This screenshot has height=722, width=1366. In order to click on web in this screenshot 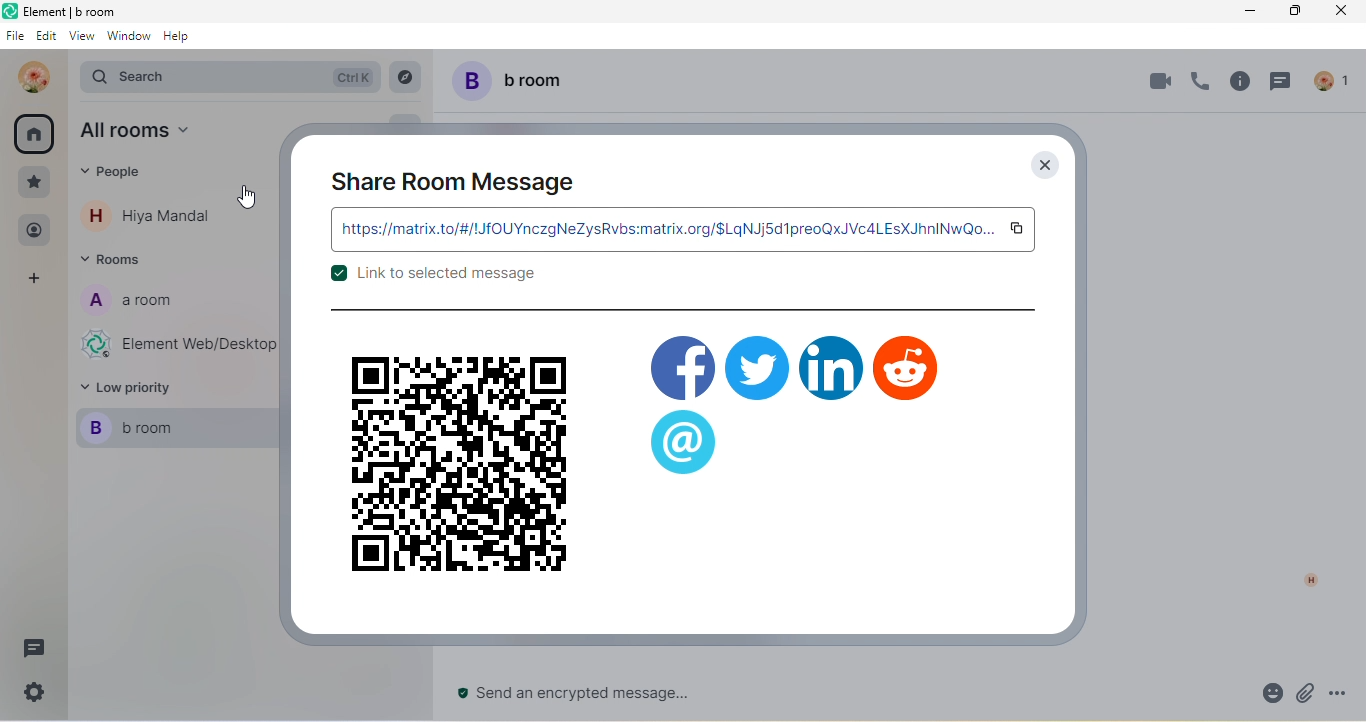, I will do `click(683, 442)`.